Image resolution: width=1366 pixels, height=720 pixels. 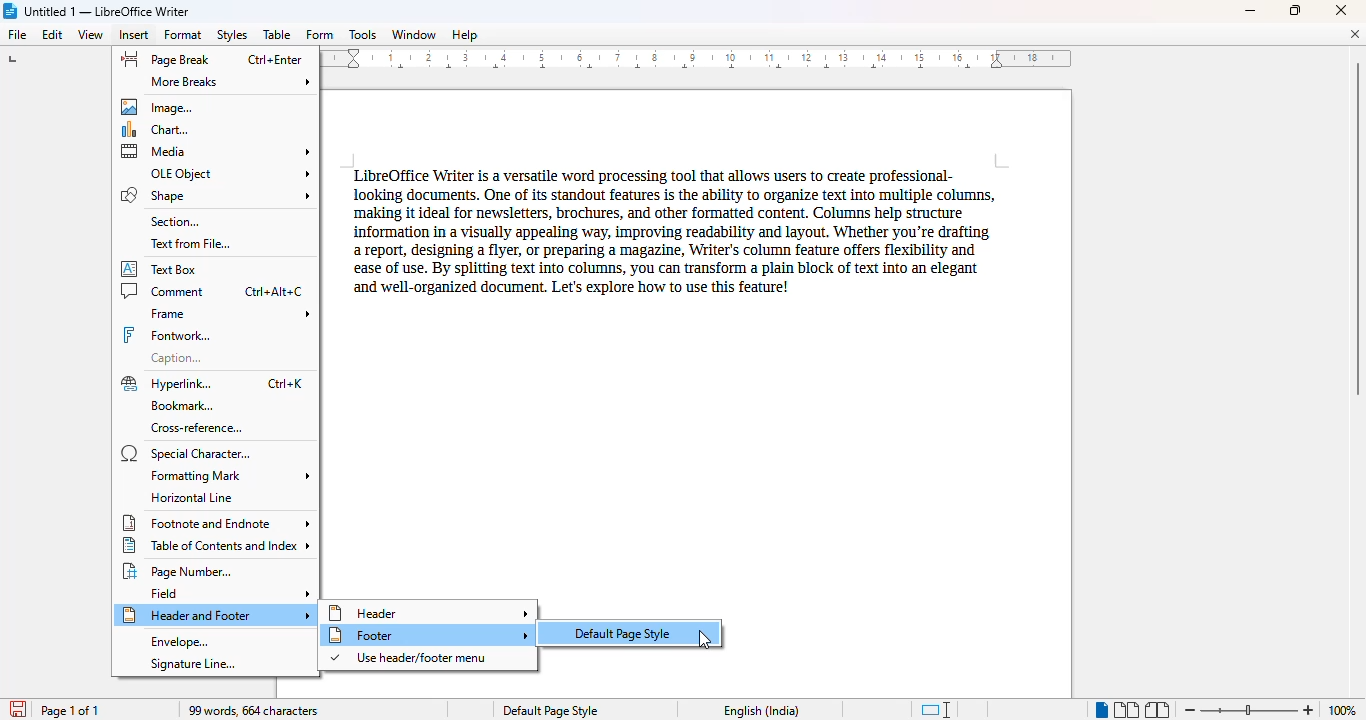 What do you see at coordinates (277, 35) in the screenshot?
I see `table` at bounding box center [277, 35].